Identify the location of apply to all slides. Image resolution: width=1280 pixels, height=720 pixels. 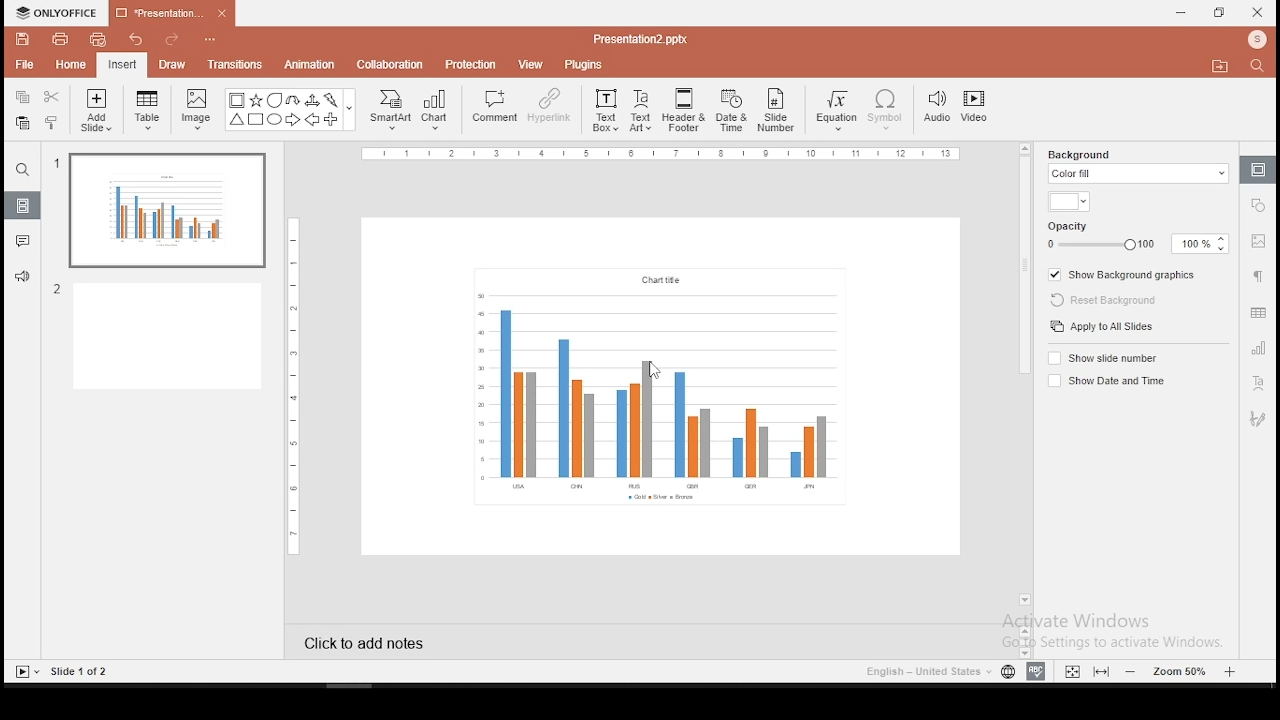
(1101, 327).